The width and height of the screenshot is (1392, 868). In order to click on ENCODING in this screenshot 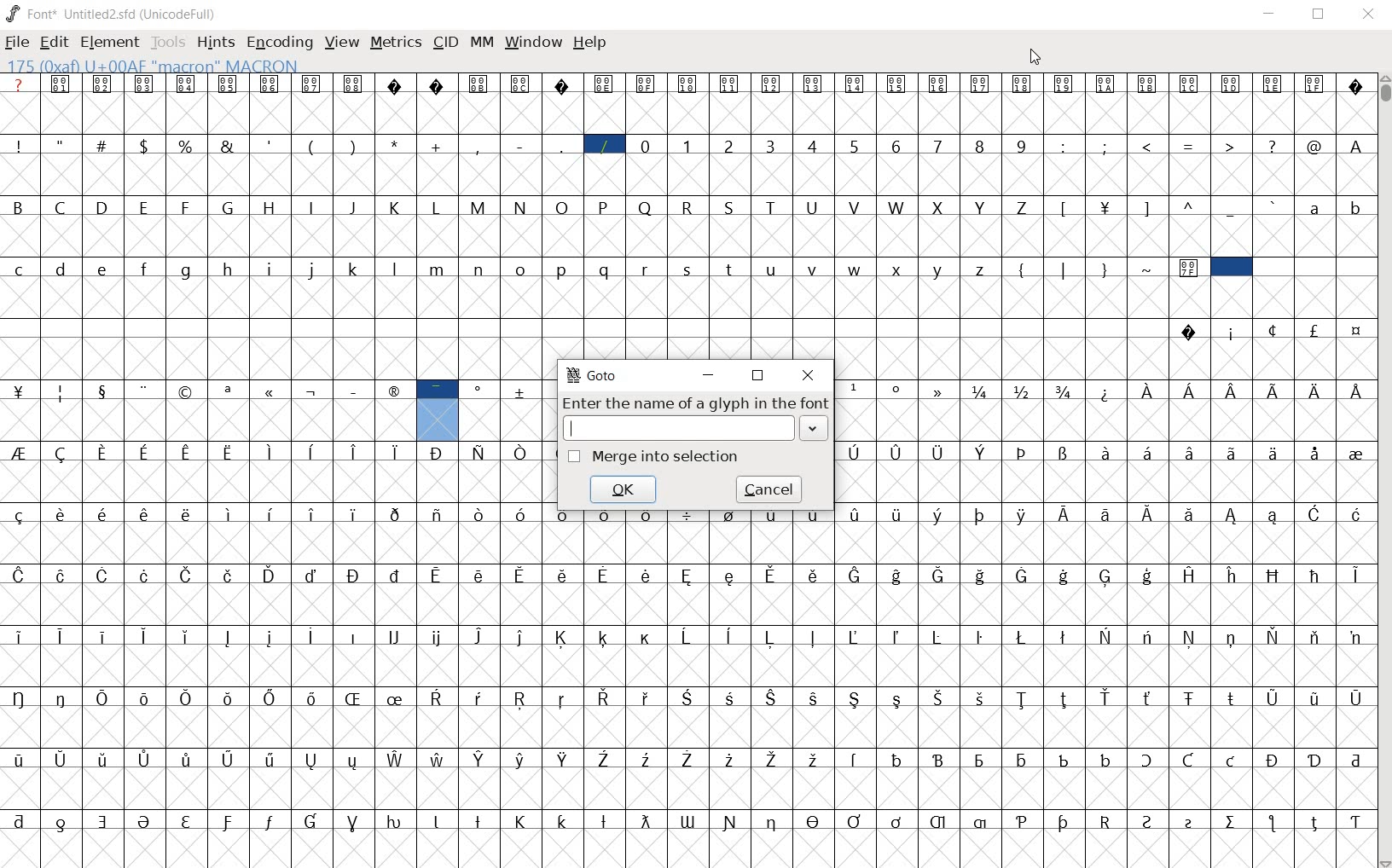, I will do `click(280, 43)`.